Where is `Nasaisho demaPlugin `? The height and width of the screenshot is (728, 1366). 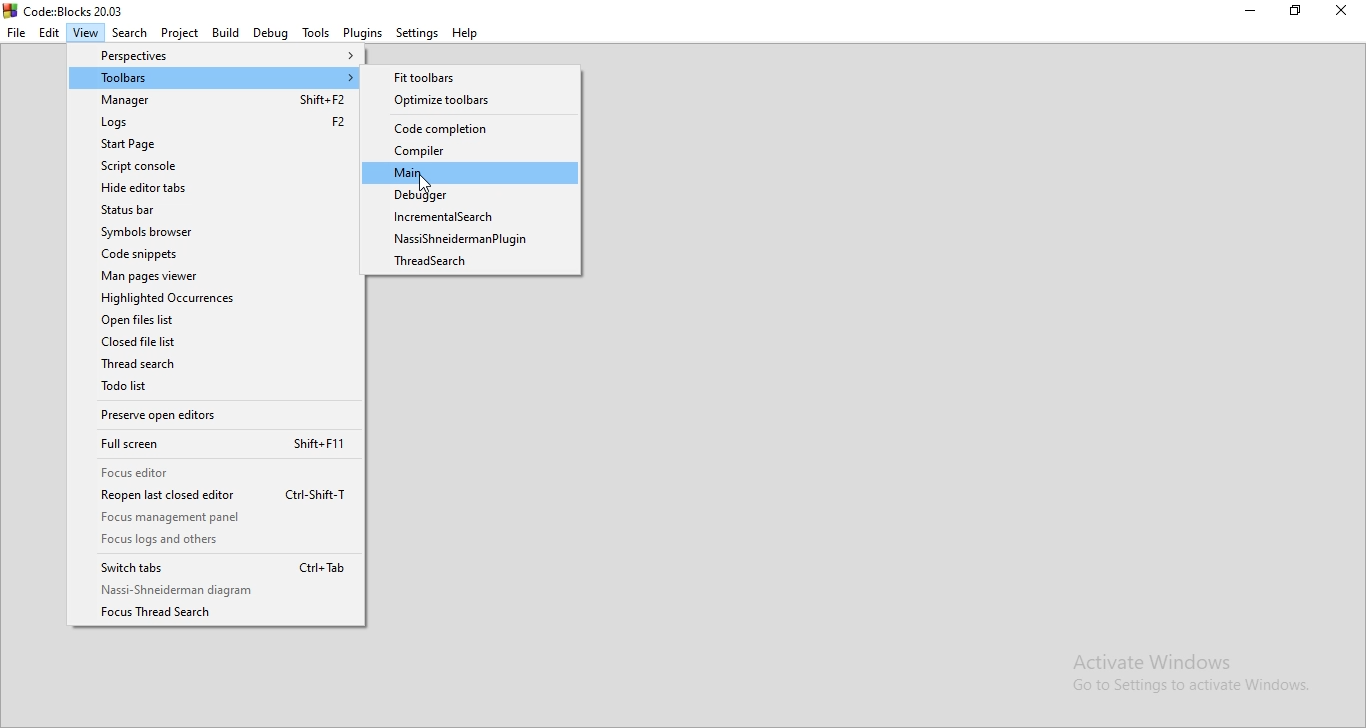
Nasaisho demaPlugin  is located at coordinates (476, 241).